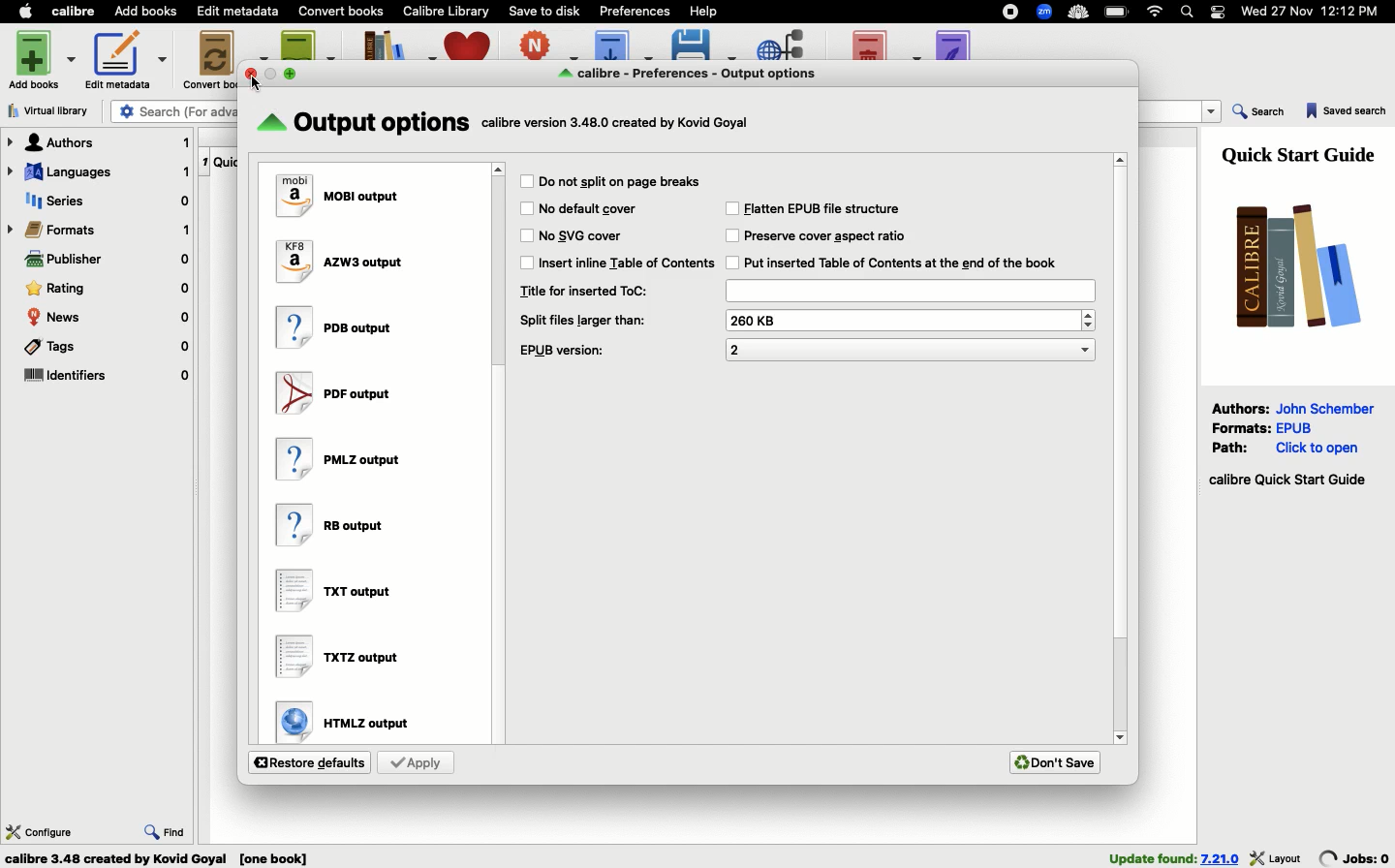 This screenshot has width=1395, height=868. Describe the element at coordinates (339, 392) in the screenshot. I see `PDF` at that location.